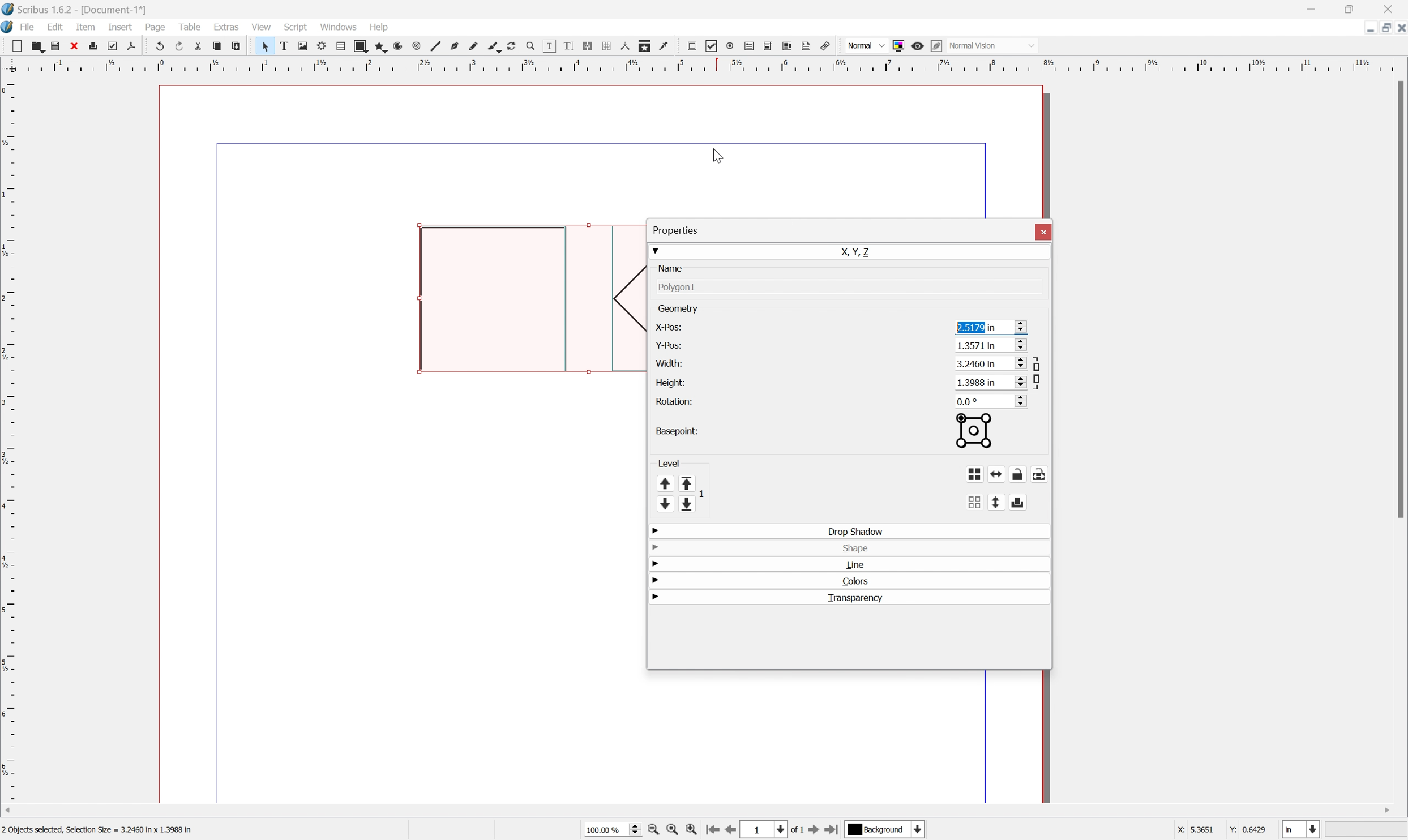 The height and width of the screenshot is (840, 1408). I want to click on Restore Down, so click(1352, 8).